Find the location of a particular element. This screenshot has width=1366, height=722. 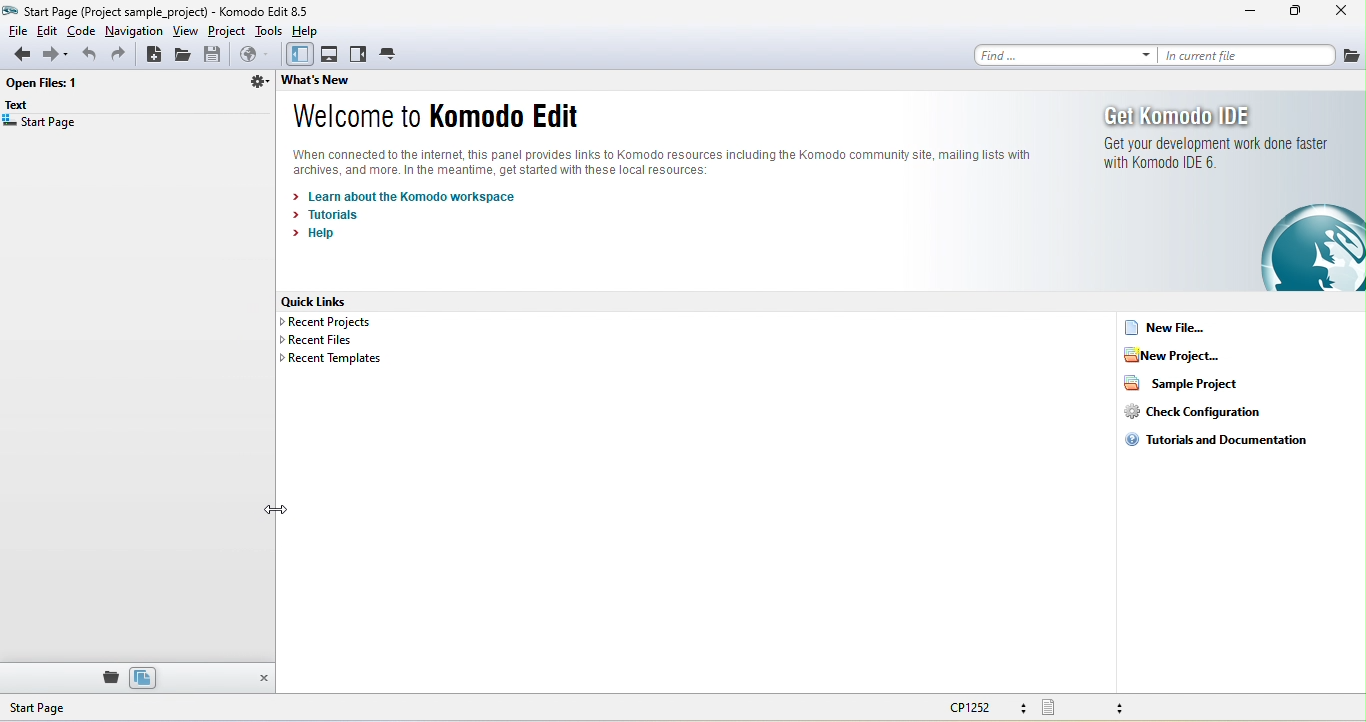

recent projects is located at coordinates (338, 323).